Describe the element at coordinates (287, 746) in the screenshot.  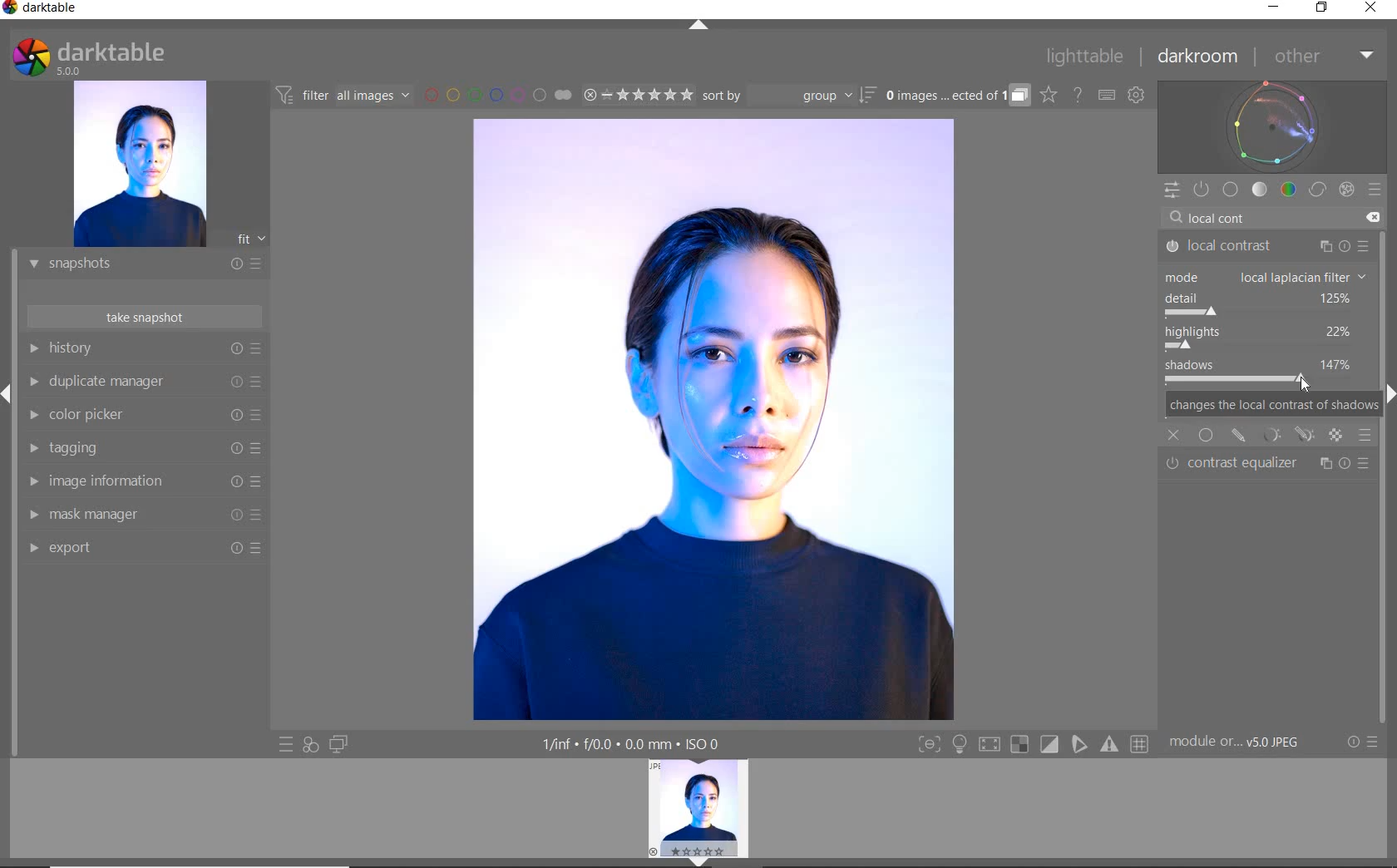
I see `QUICK ACCESS TO PRESET` at that location.